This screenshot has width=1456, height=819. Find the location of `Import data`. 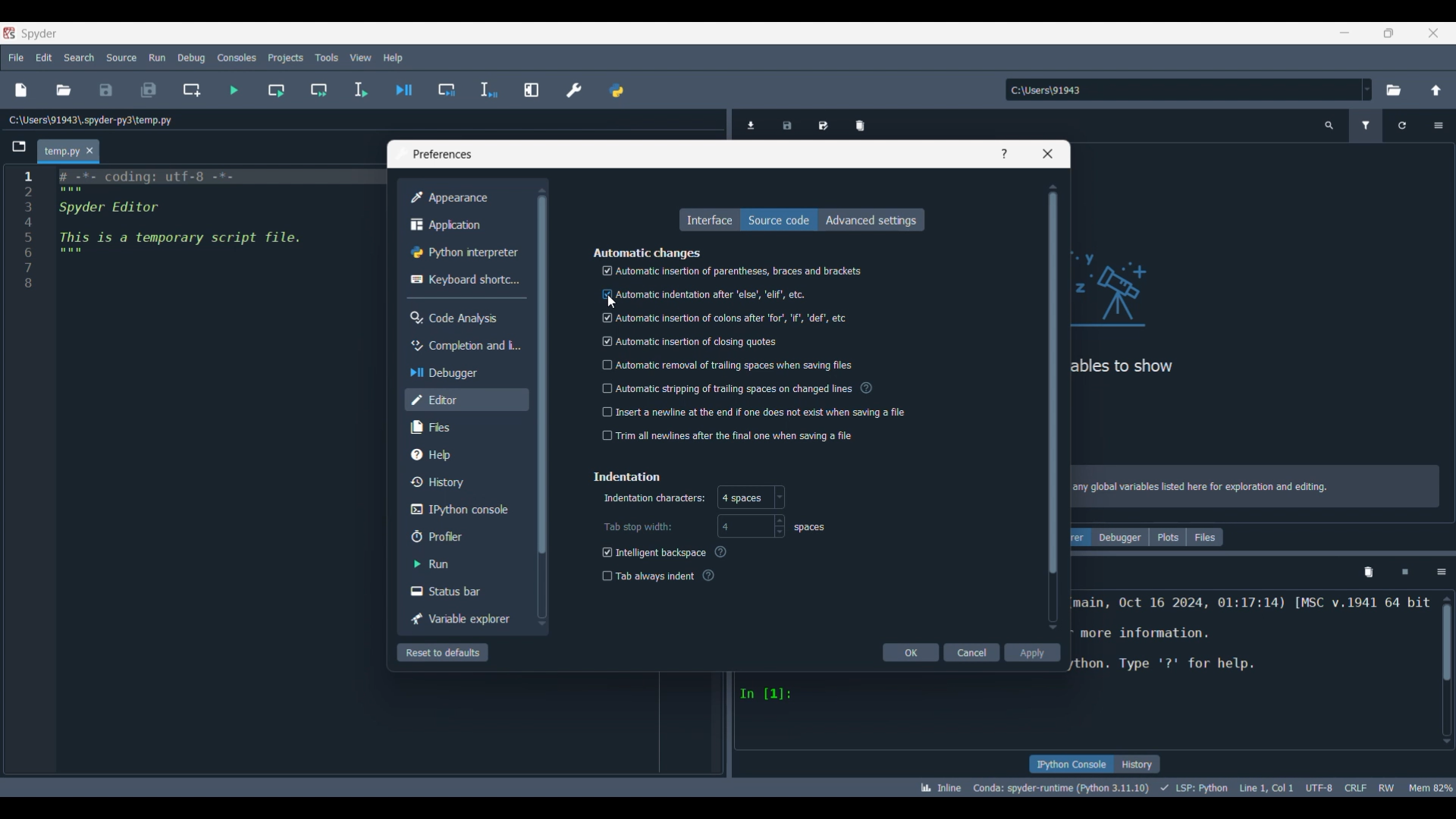

Import data is located at coordinates (751, 124).